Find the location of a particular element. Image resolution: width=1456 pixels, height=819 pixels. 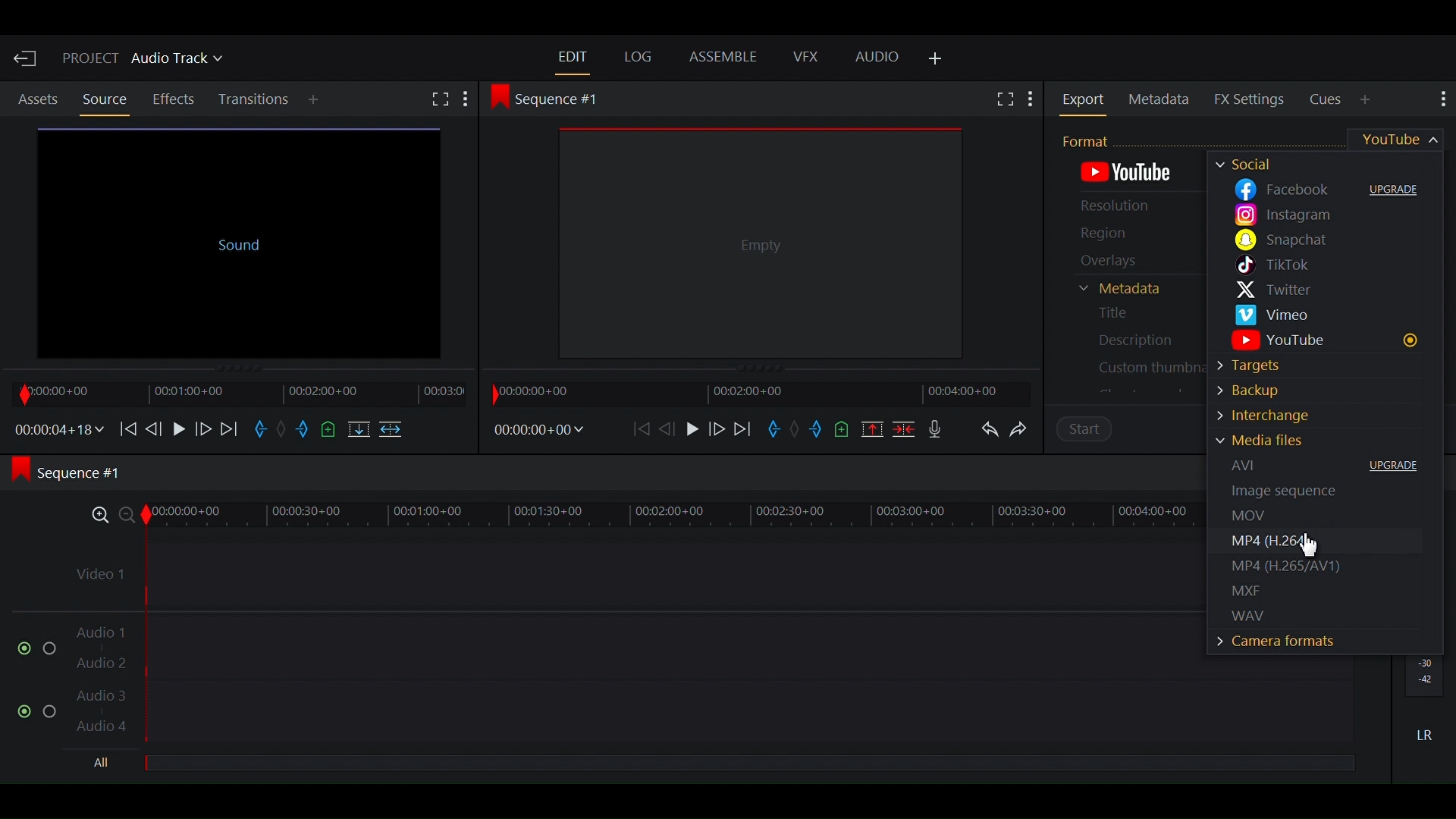

Move backward is located at coordinates (643, 428).